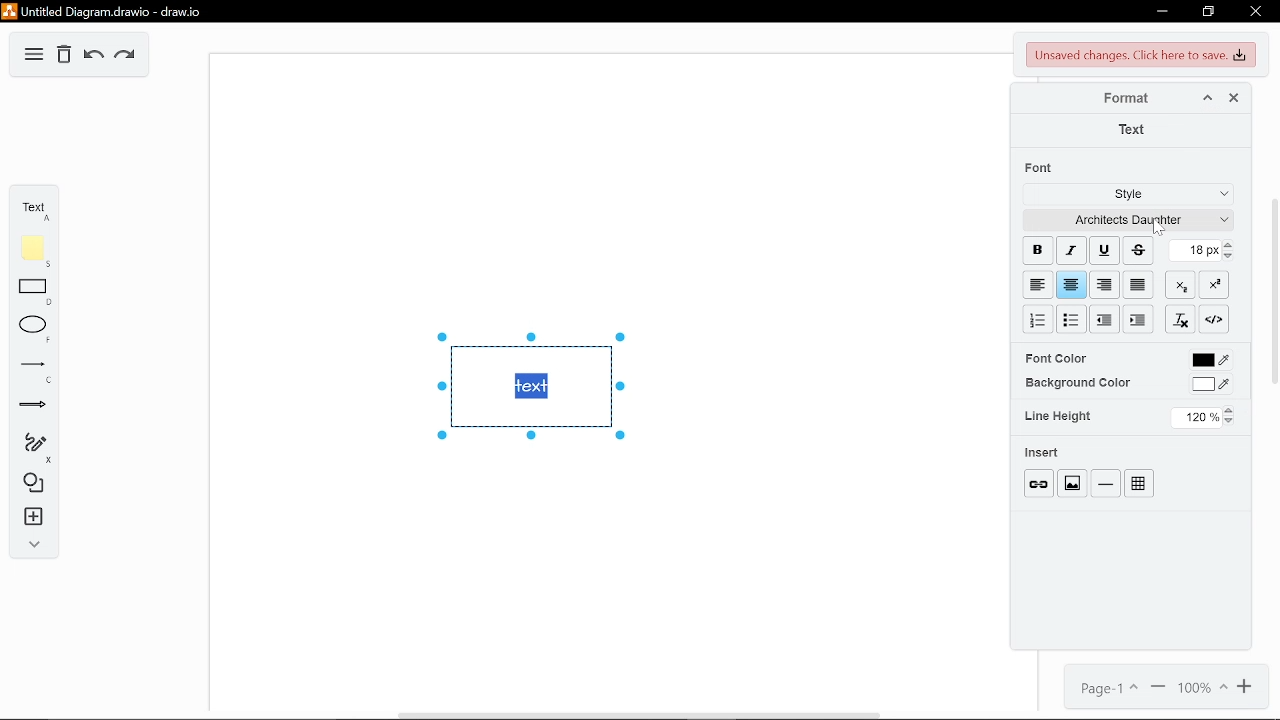 This screenshot has height=720, width=1280. What do you see at coordinates (1103, 286) in the screenshot?
I see `align right` at bounding box center [1103, 286].